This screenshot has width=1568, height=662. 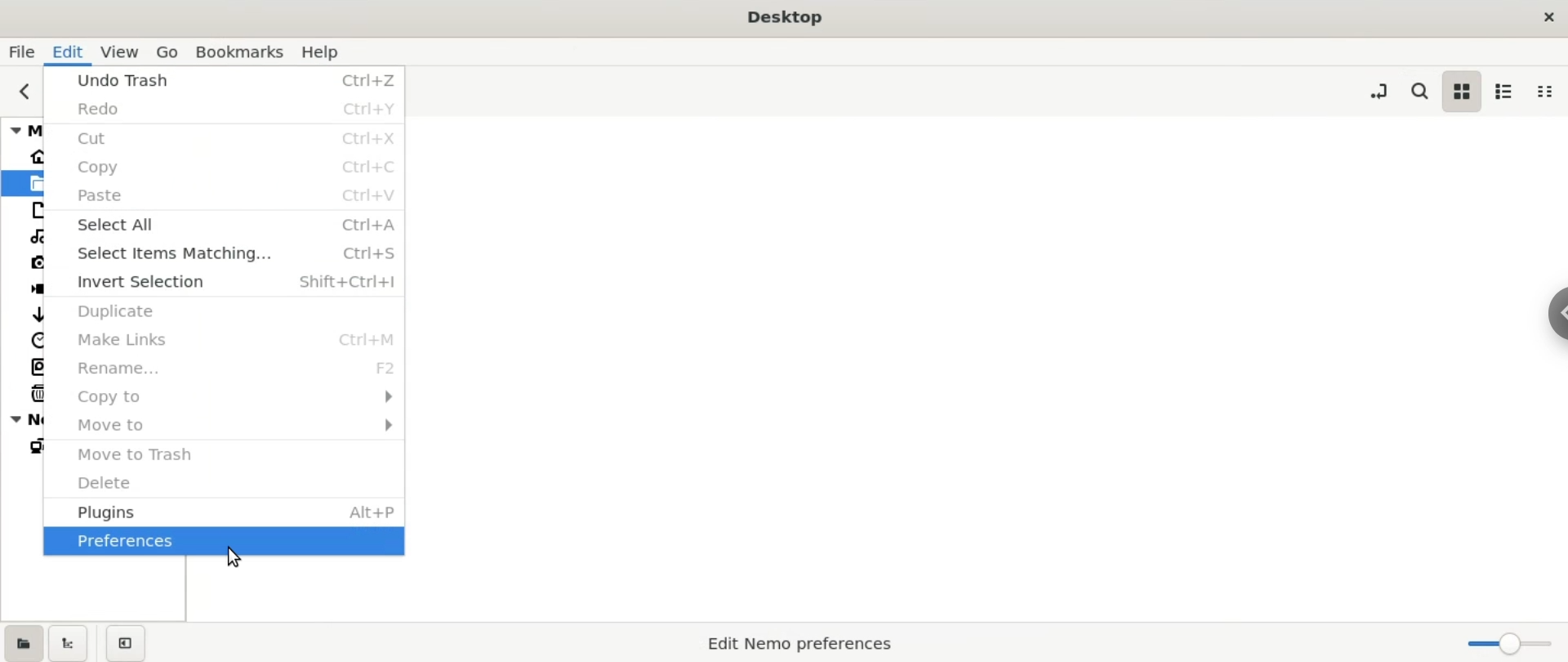 I want to click on undo trash, so click(x=222, y=78).